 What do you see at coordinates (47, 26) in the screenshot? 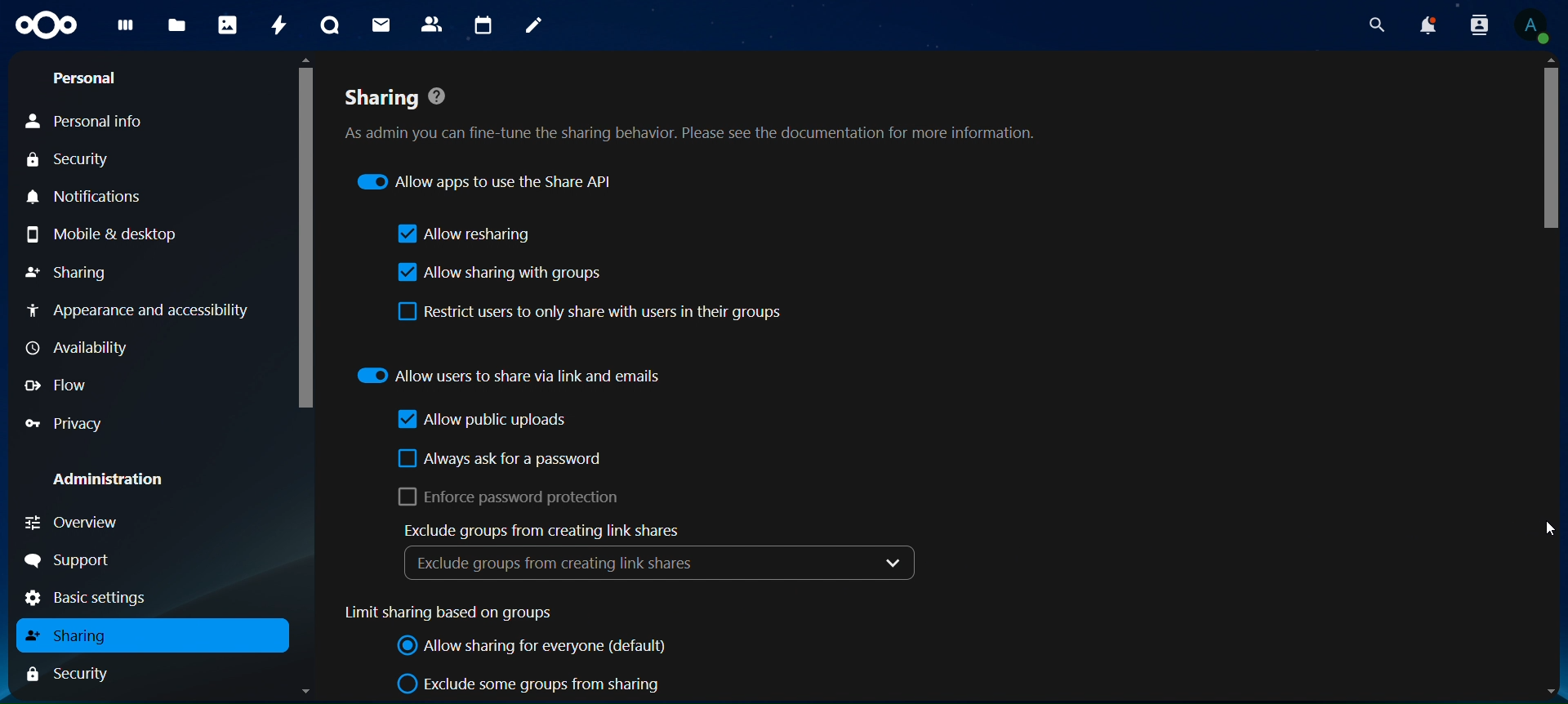
I see `Icon` at bounding box center [47, 26].